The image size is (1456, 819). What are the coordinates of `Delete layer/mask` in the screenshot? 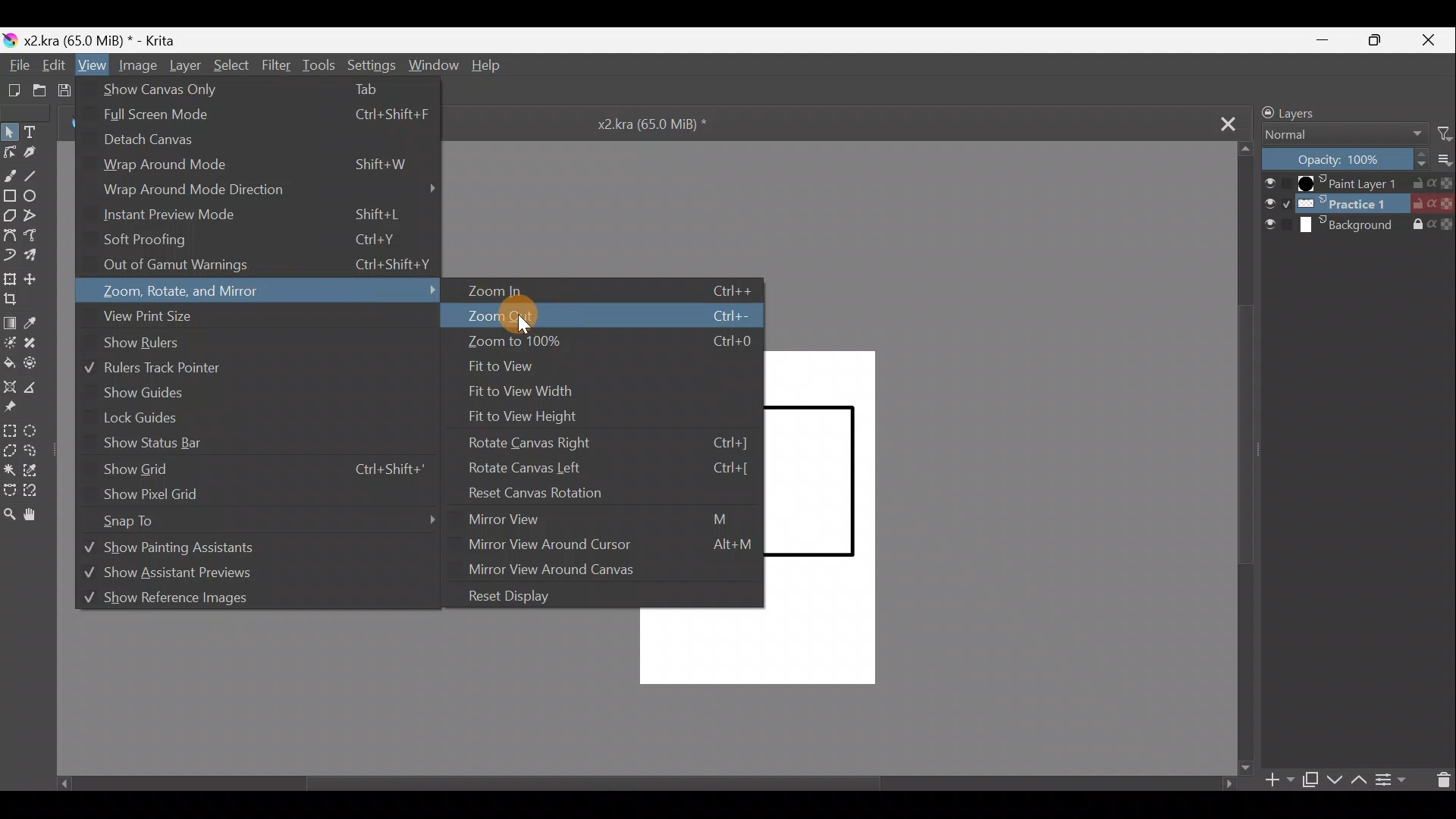 It's located at (1439, 780).